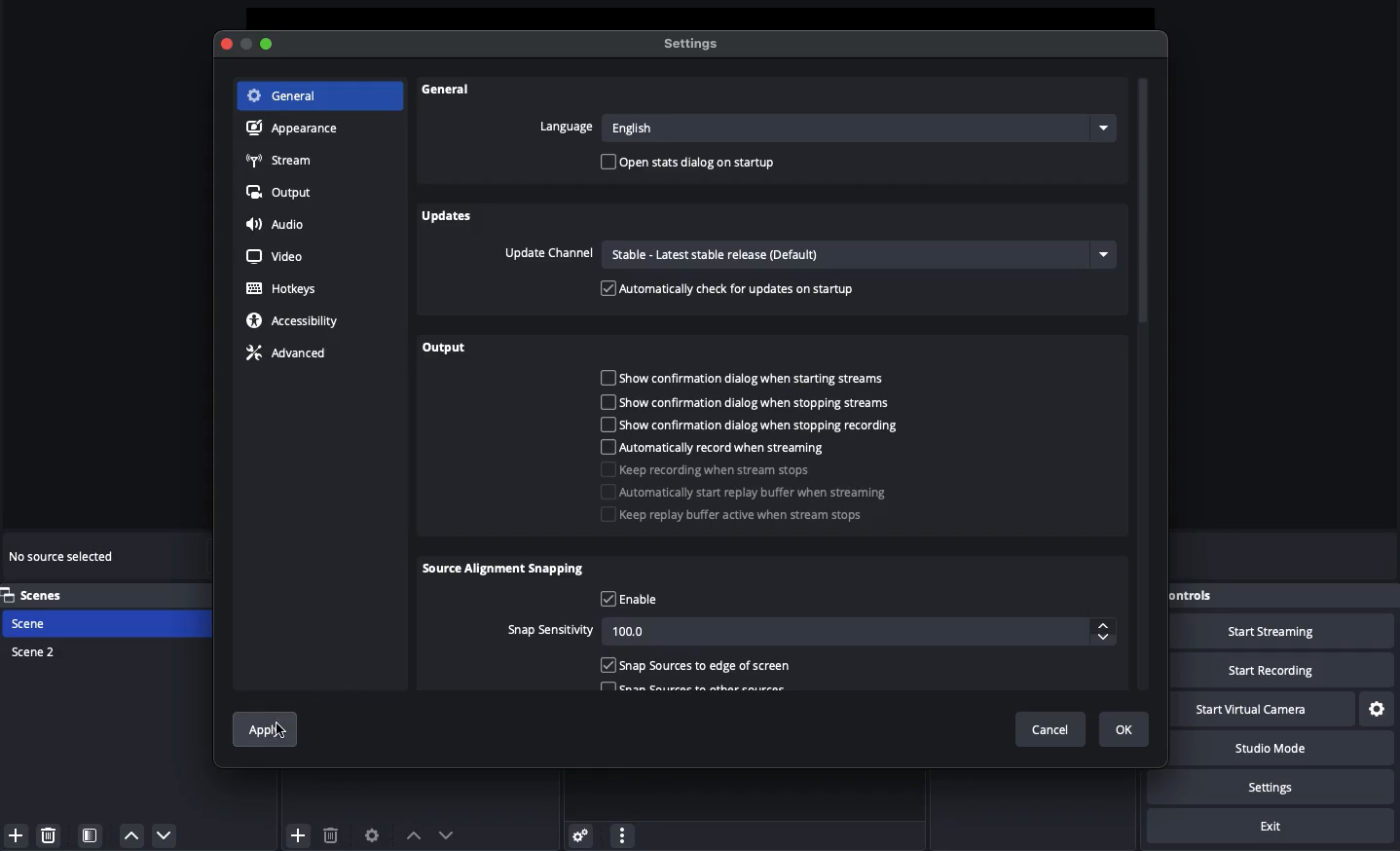 Image resolution: width=1400 pixels, height=851 pixels. Describe the element at coordinates (1285, 751) in the screenshot. I see `Studio mode` at that location.